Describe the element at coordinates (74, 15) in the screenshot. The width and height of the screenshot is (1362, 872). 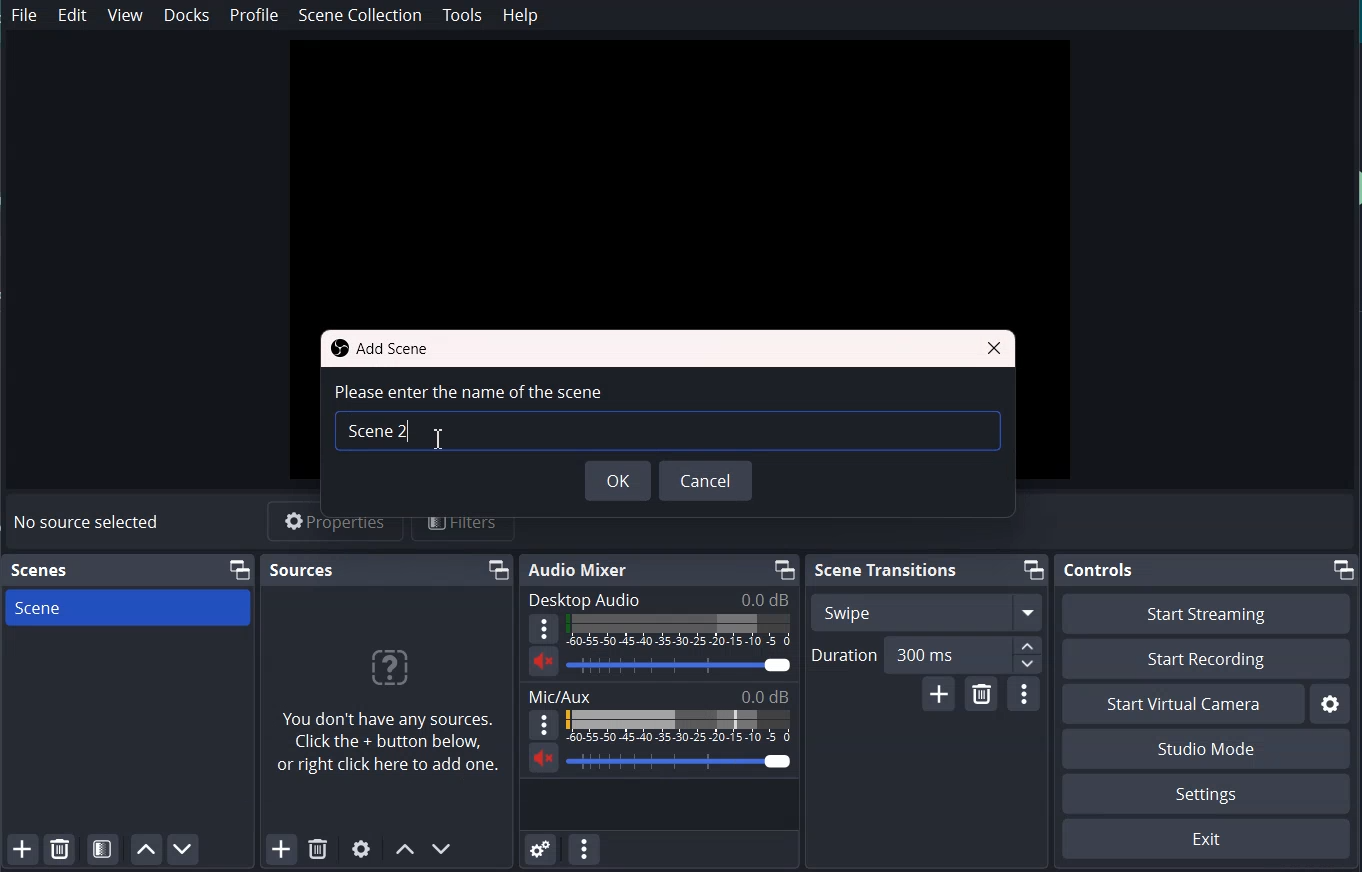
I see `Edit` at that location.